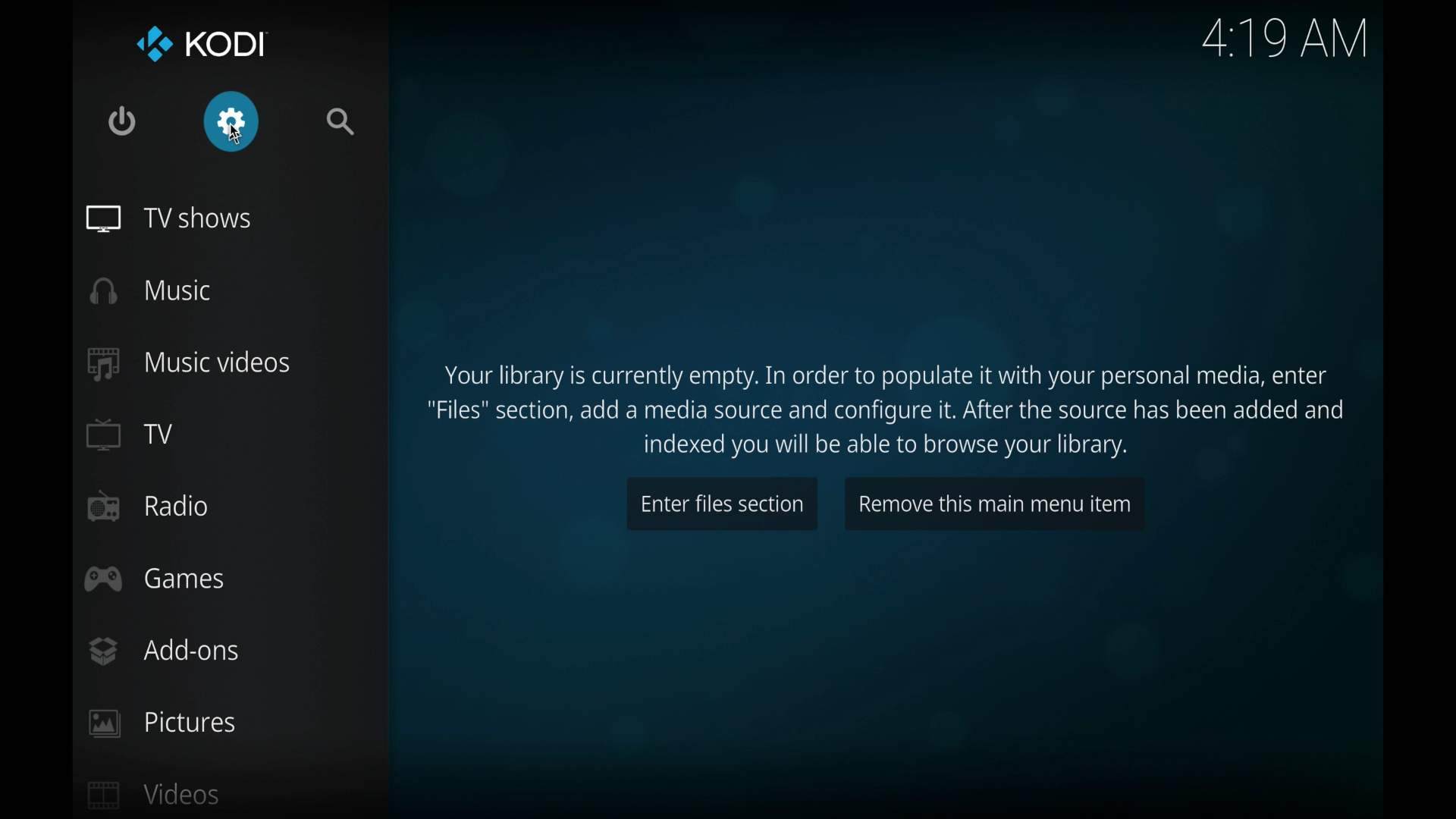  Describe the element at coordinates (123, 121) in the screenshot. I see `quit kodi` at that location.